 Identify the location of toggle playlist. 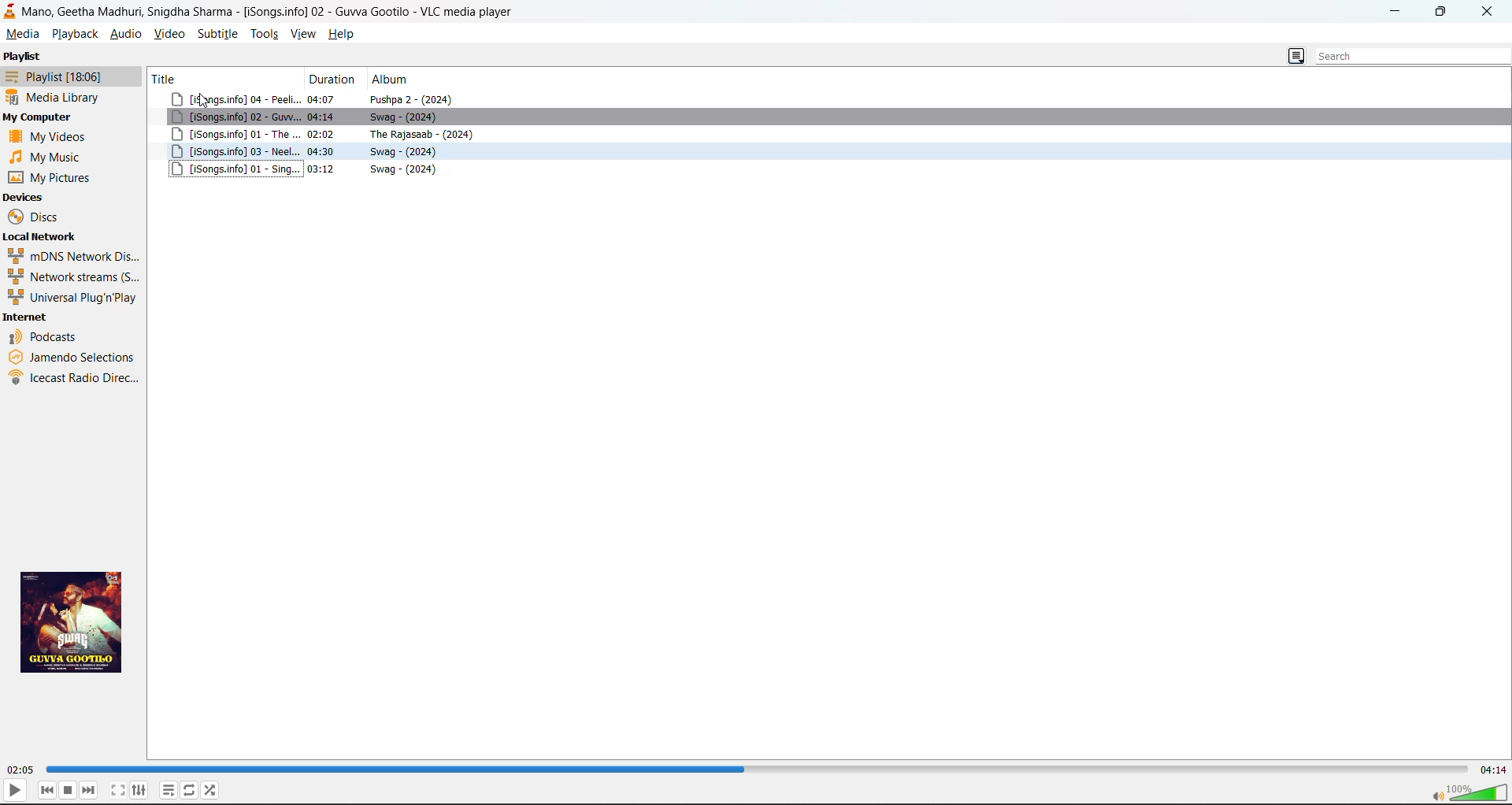
(168, 791).